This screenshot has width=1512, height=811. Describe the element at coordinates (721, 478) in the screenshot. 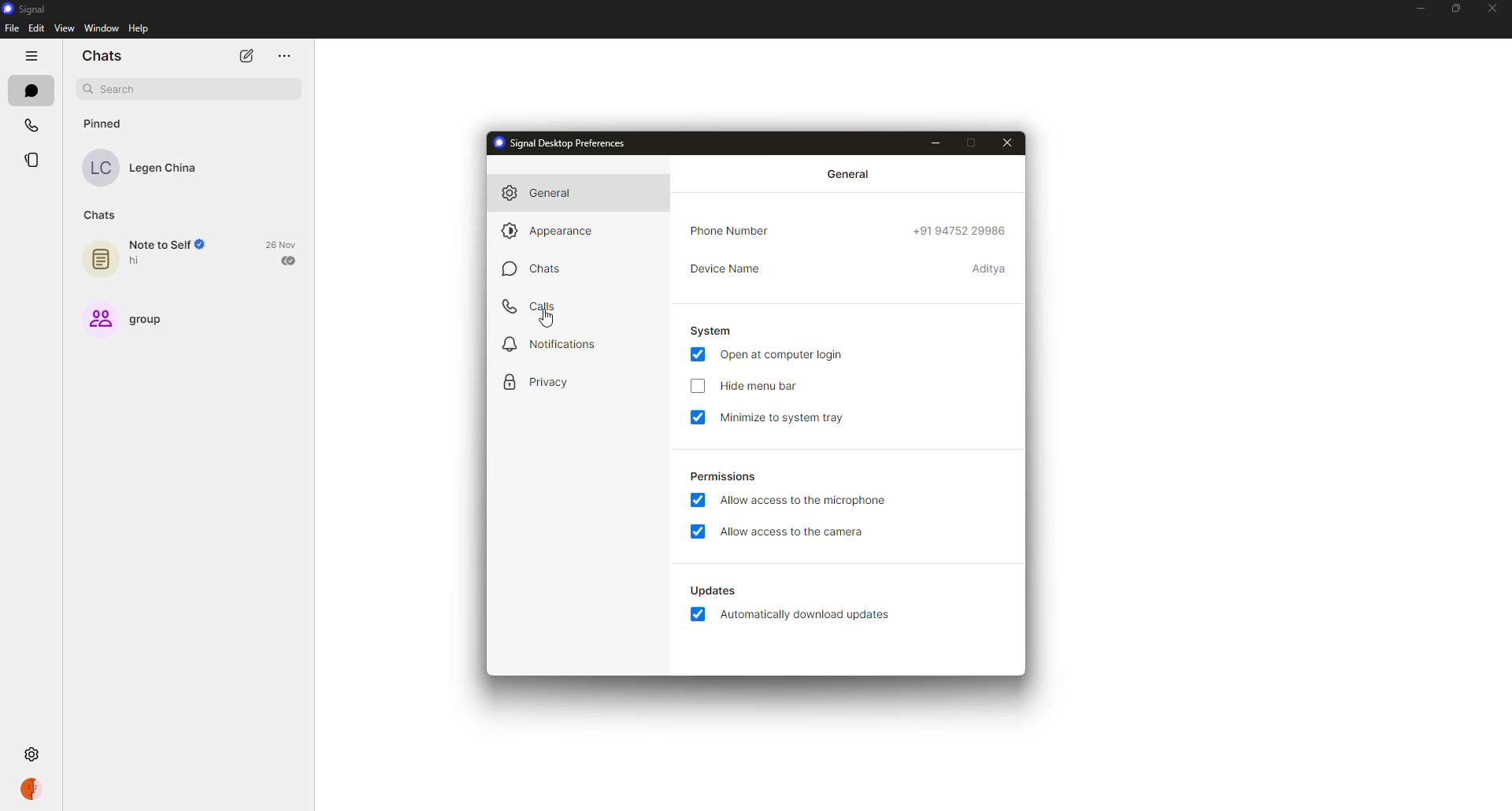

I see `permissions` at that location.